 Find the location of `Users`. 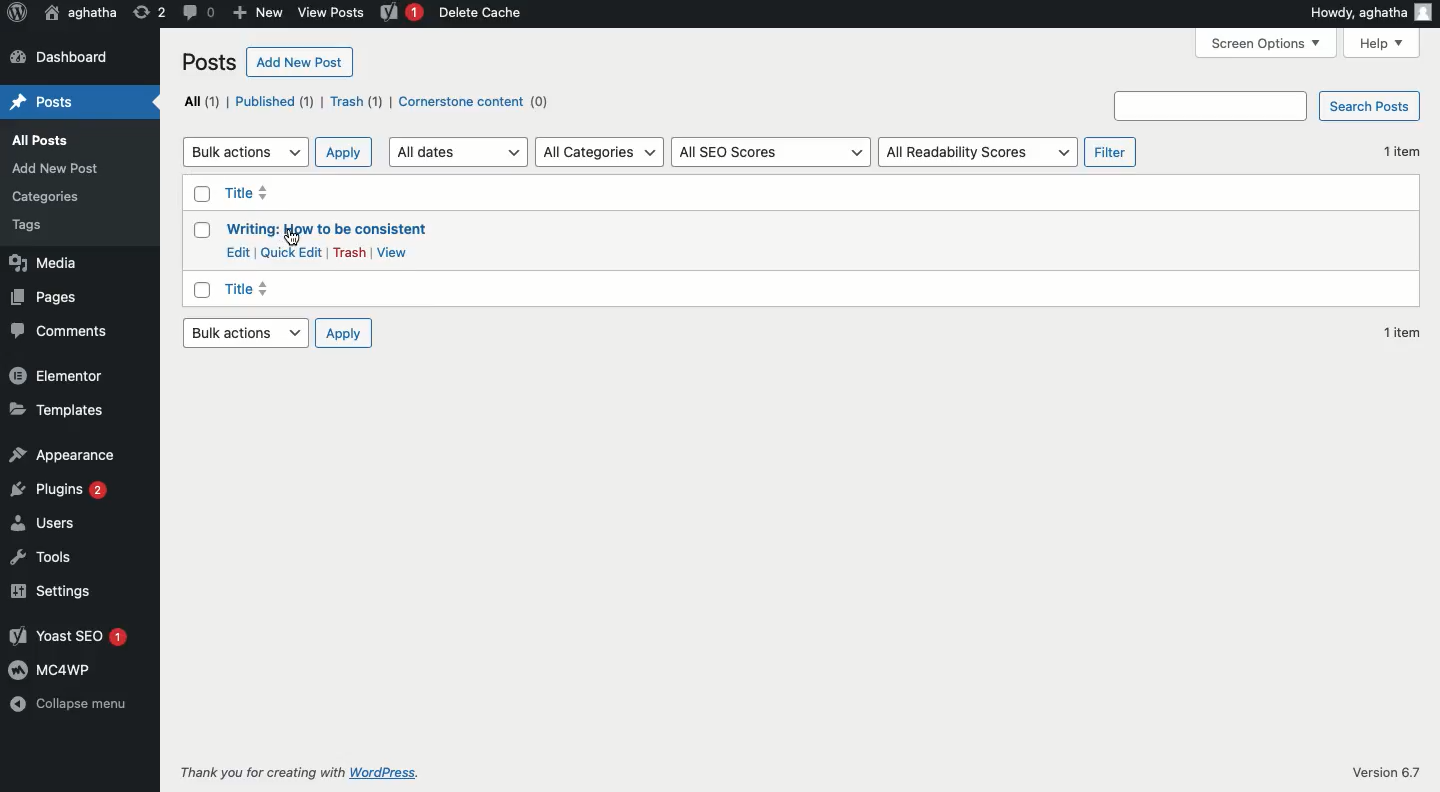

Users is located at coordinates (44, 523).